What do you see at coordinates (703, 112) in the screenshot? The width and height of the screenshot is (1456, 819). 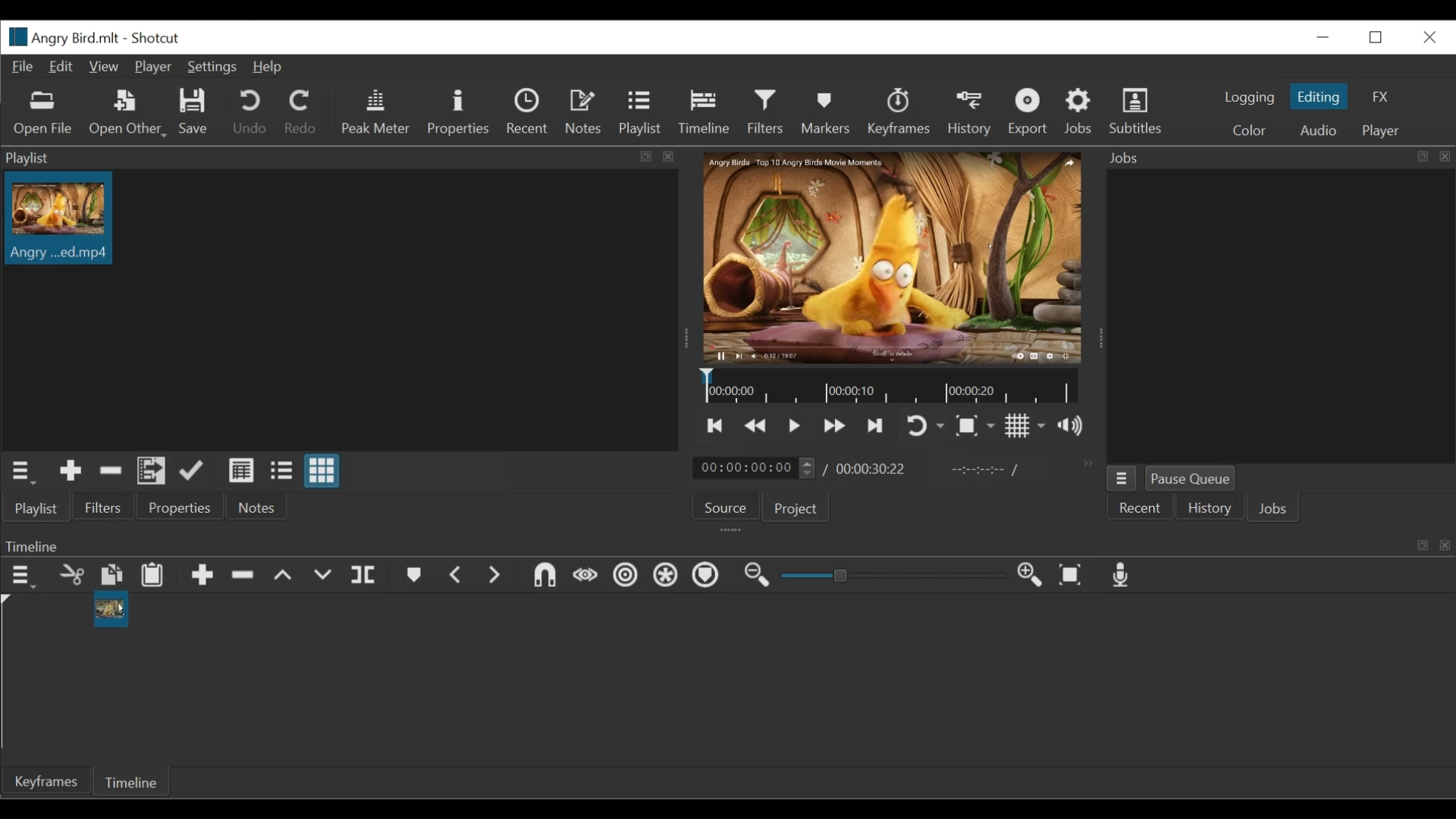 I see `Timeline` at bounding box center [703, 112].